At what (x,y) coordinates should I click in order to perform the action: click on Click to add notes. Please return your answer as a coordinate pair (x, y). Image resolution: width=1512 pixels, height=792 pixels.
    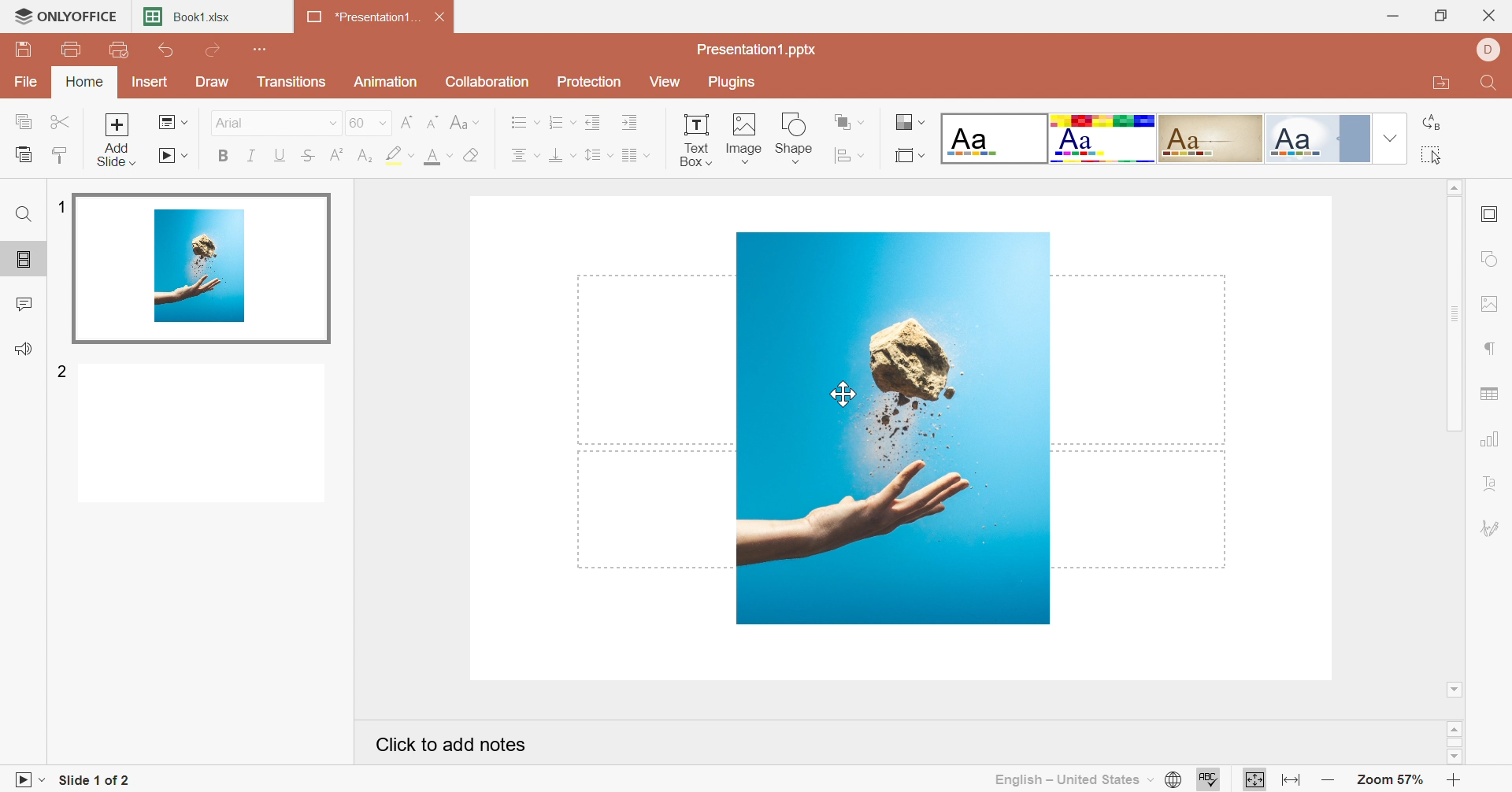
    Looking at the image, I should click on (452, 742).